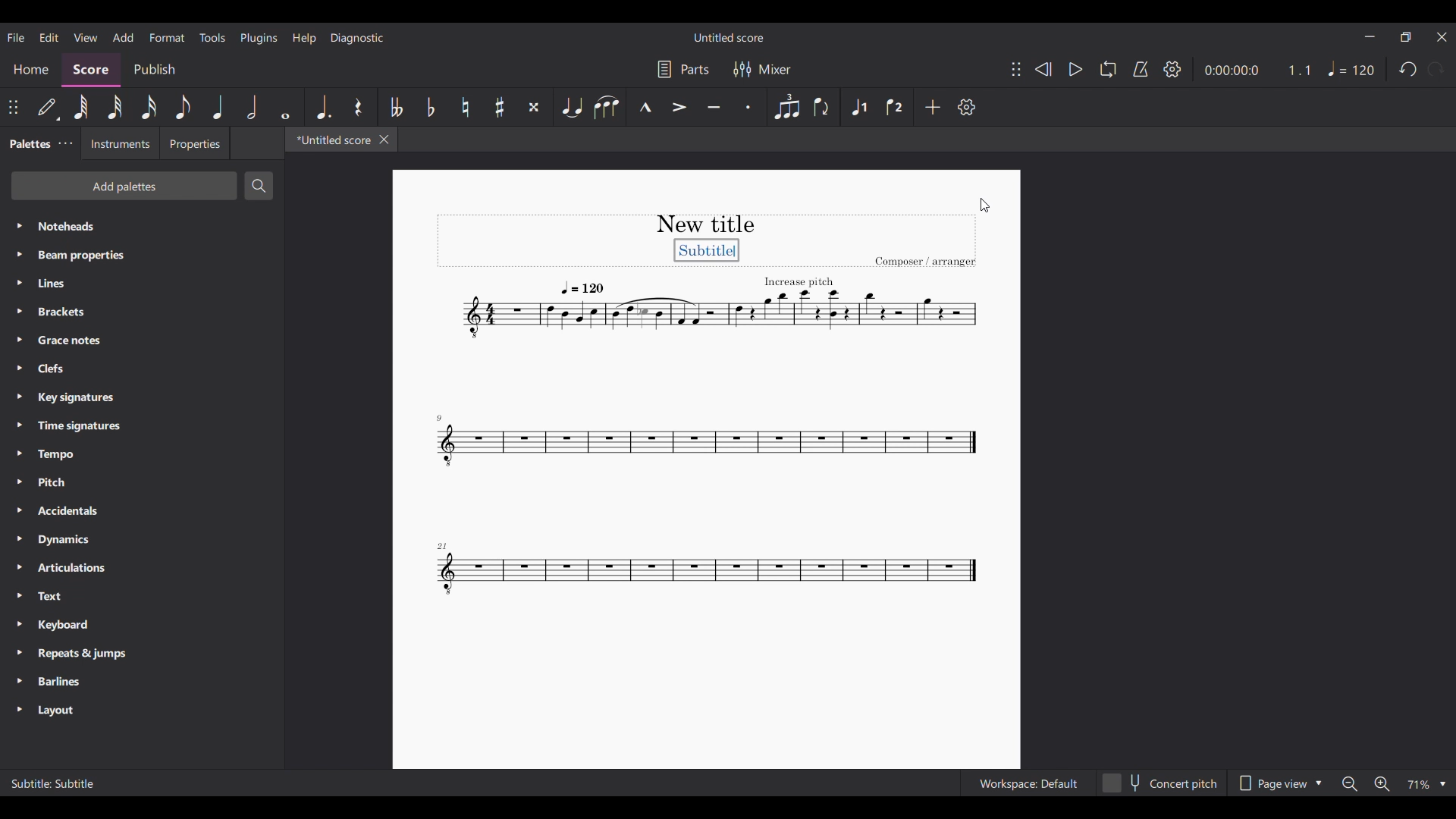 The height and width of the screenshot is (819, 1456). I want to click on New title, so click(706, 224).